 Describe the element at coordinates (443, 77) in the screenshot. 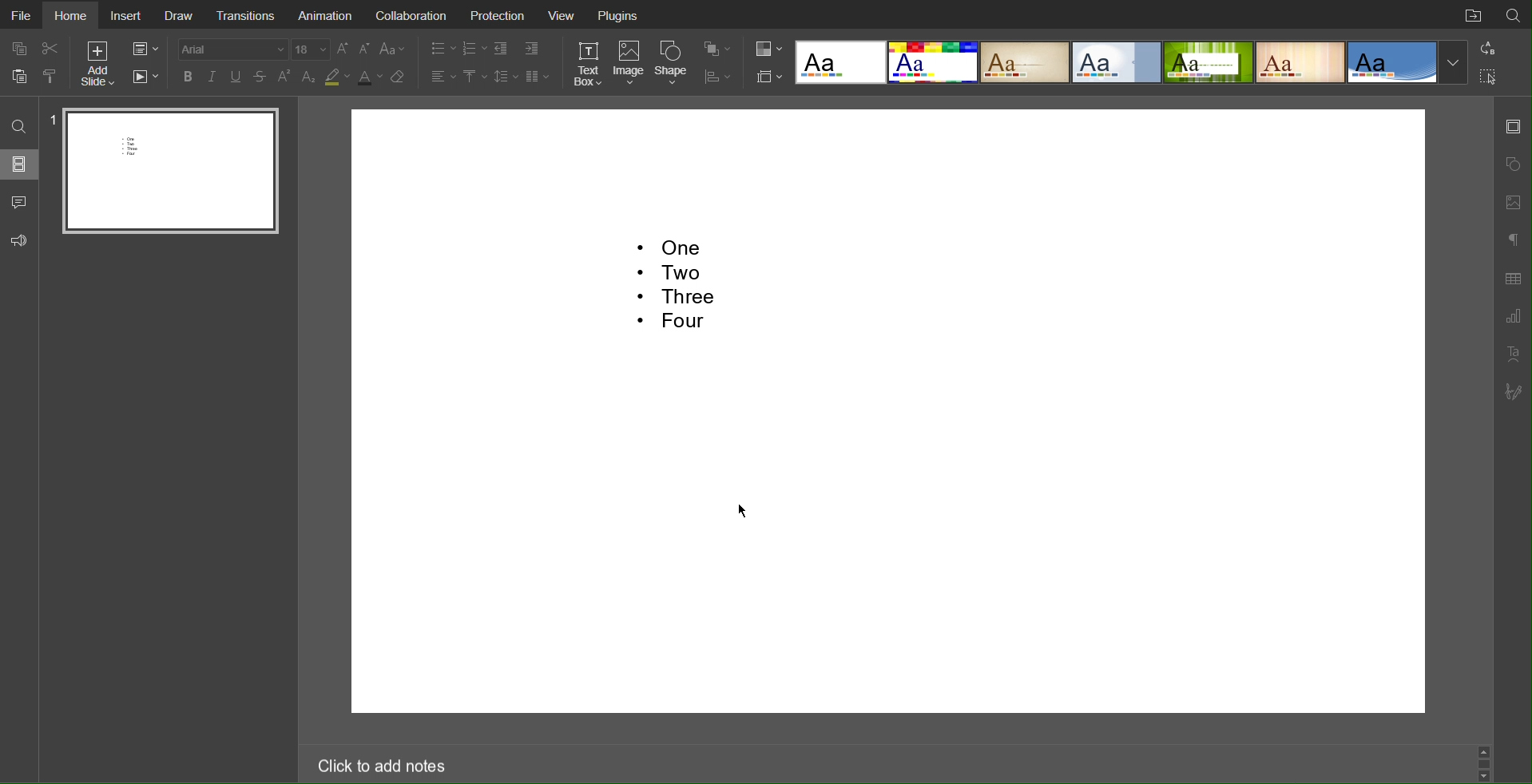

I see `Alignment` at that location.